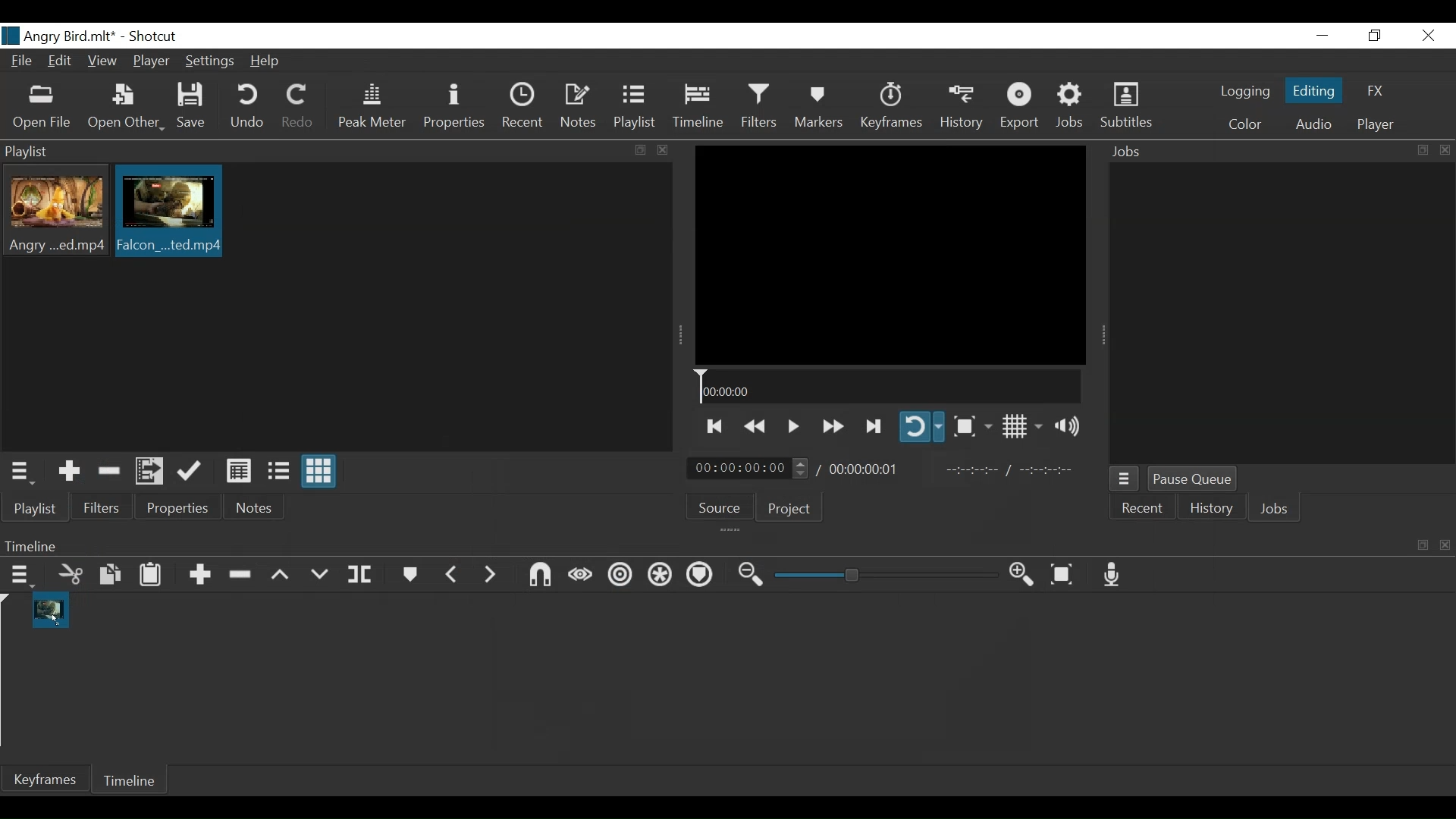 The height and width of the screenshot is (819, 1456). Describe the element at coordinates (242, 576) in the screenshot. I see `Remove cut` at that location.